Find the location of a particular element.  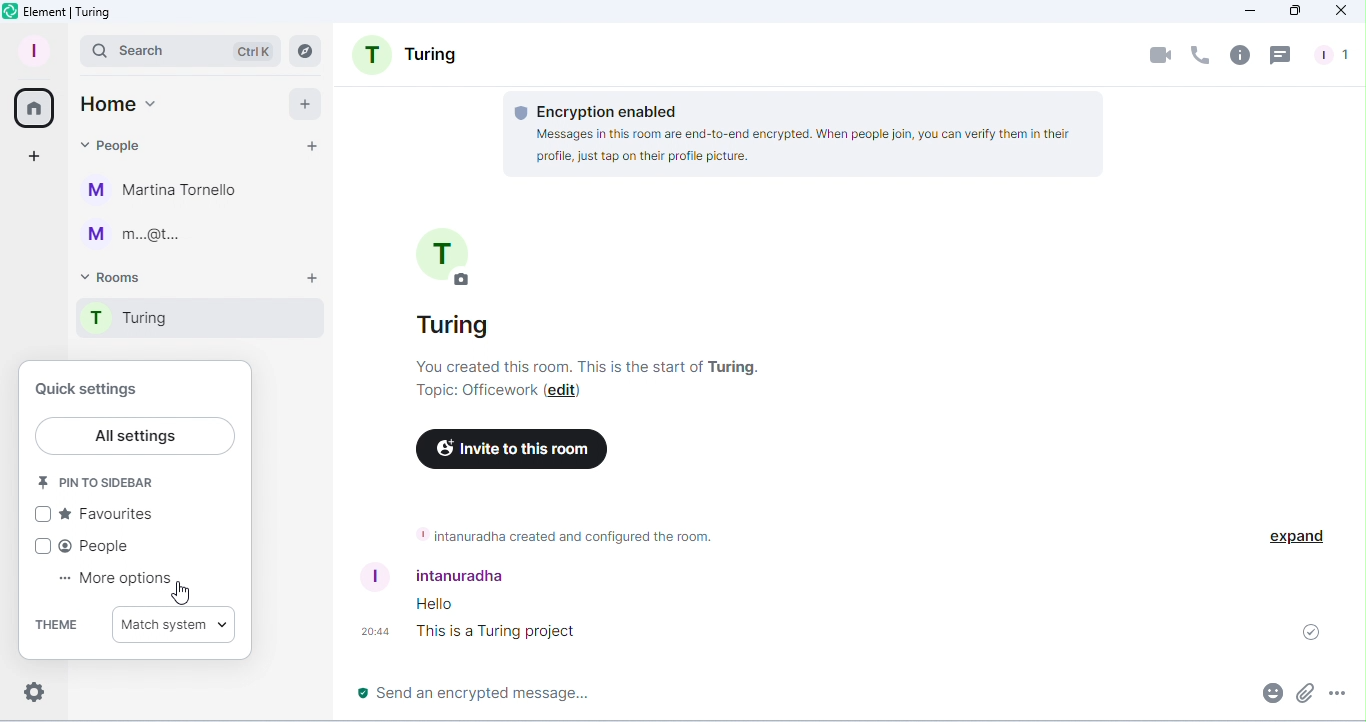

Room name is located at coordinates (439, 278).